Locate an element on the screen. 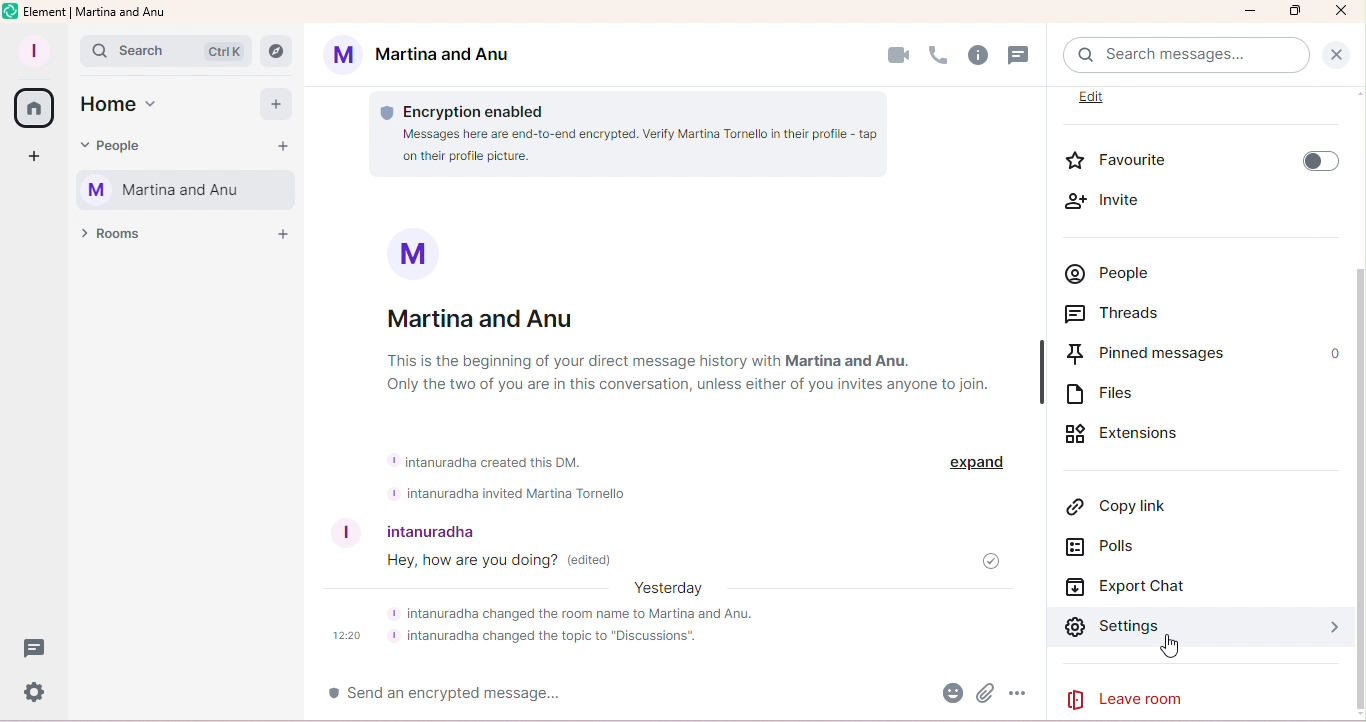  Home is located at coordinates (127, 109).